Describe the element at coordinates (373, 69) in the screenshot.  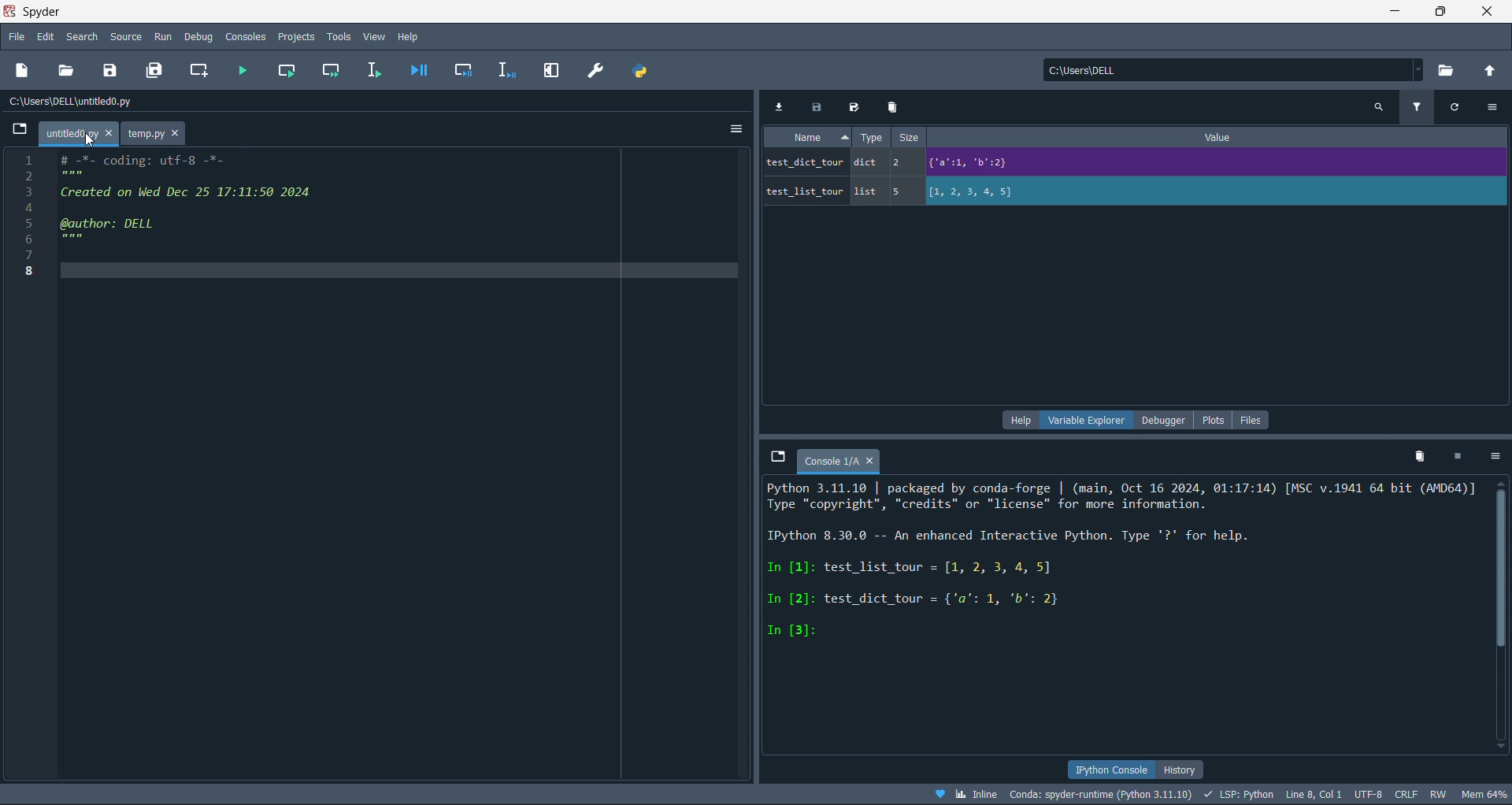
I see `run line` at that location.